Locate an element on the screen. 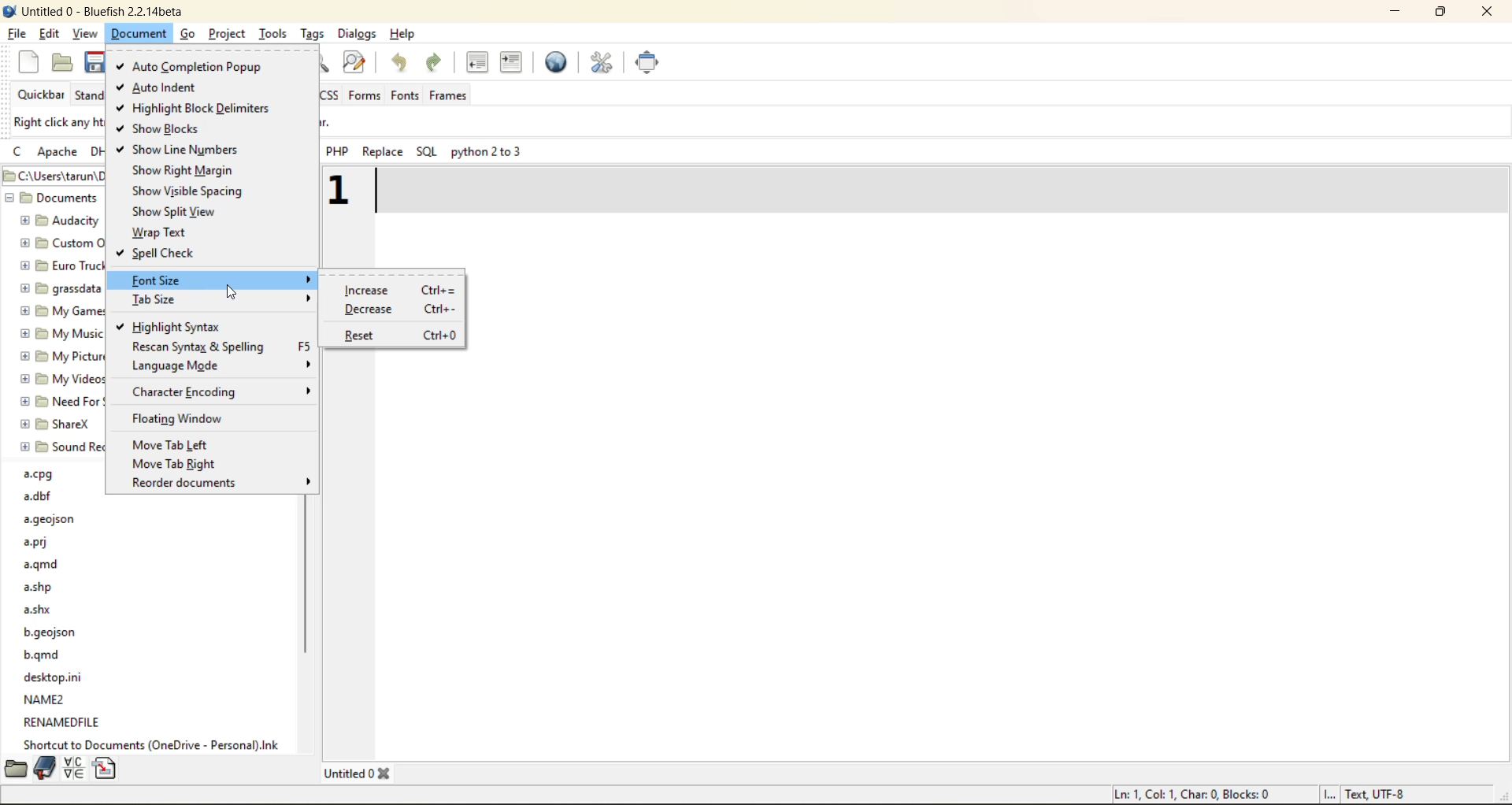 The width and height of the screenshot is (1512, 805). grasssdata is located at coordinates (61, 289).